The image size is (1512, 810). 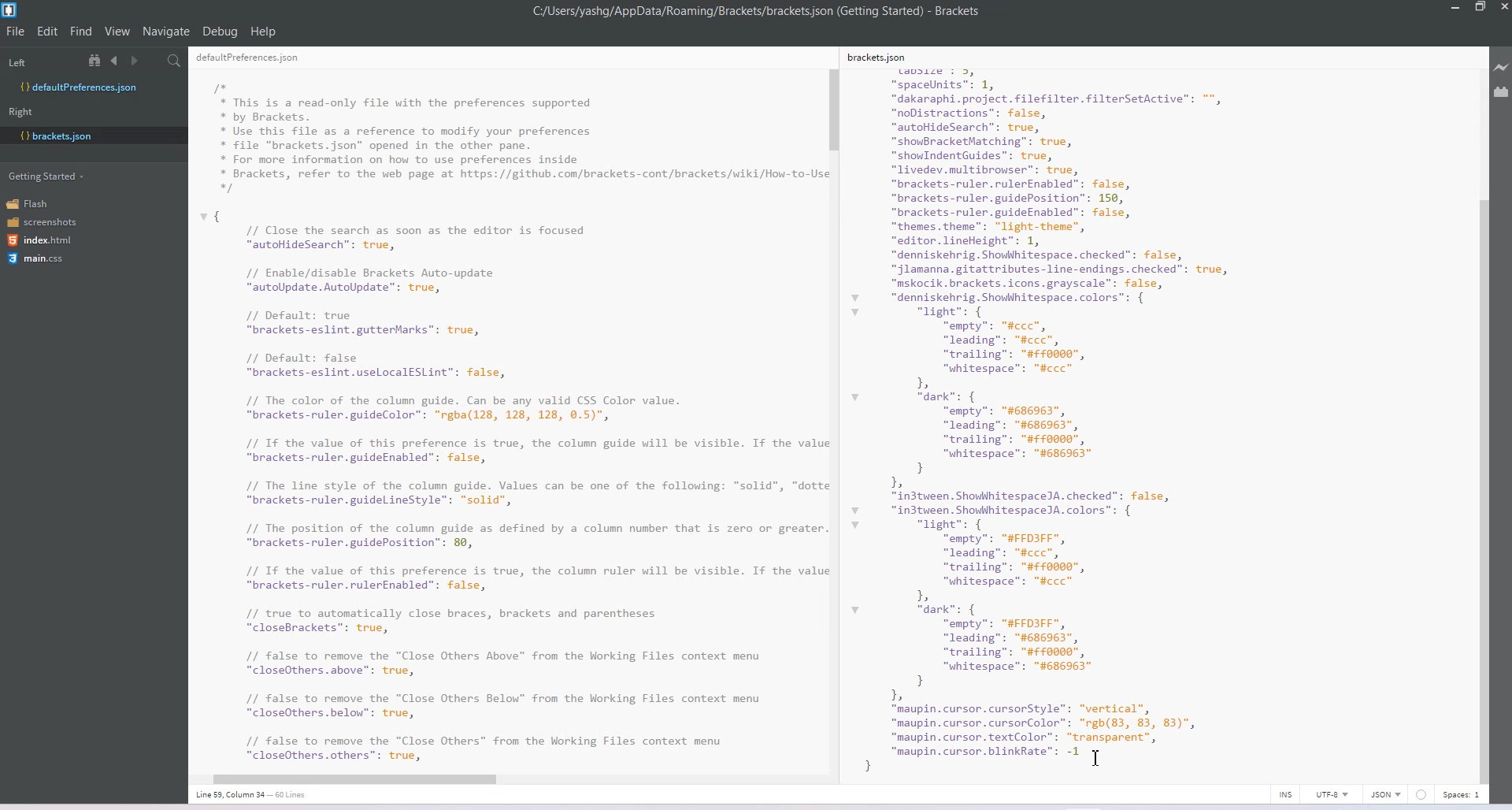 What do you see at coordinates (11, 10) in the screenshot?
I see `Logo` at bounding box center [11, 10].